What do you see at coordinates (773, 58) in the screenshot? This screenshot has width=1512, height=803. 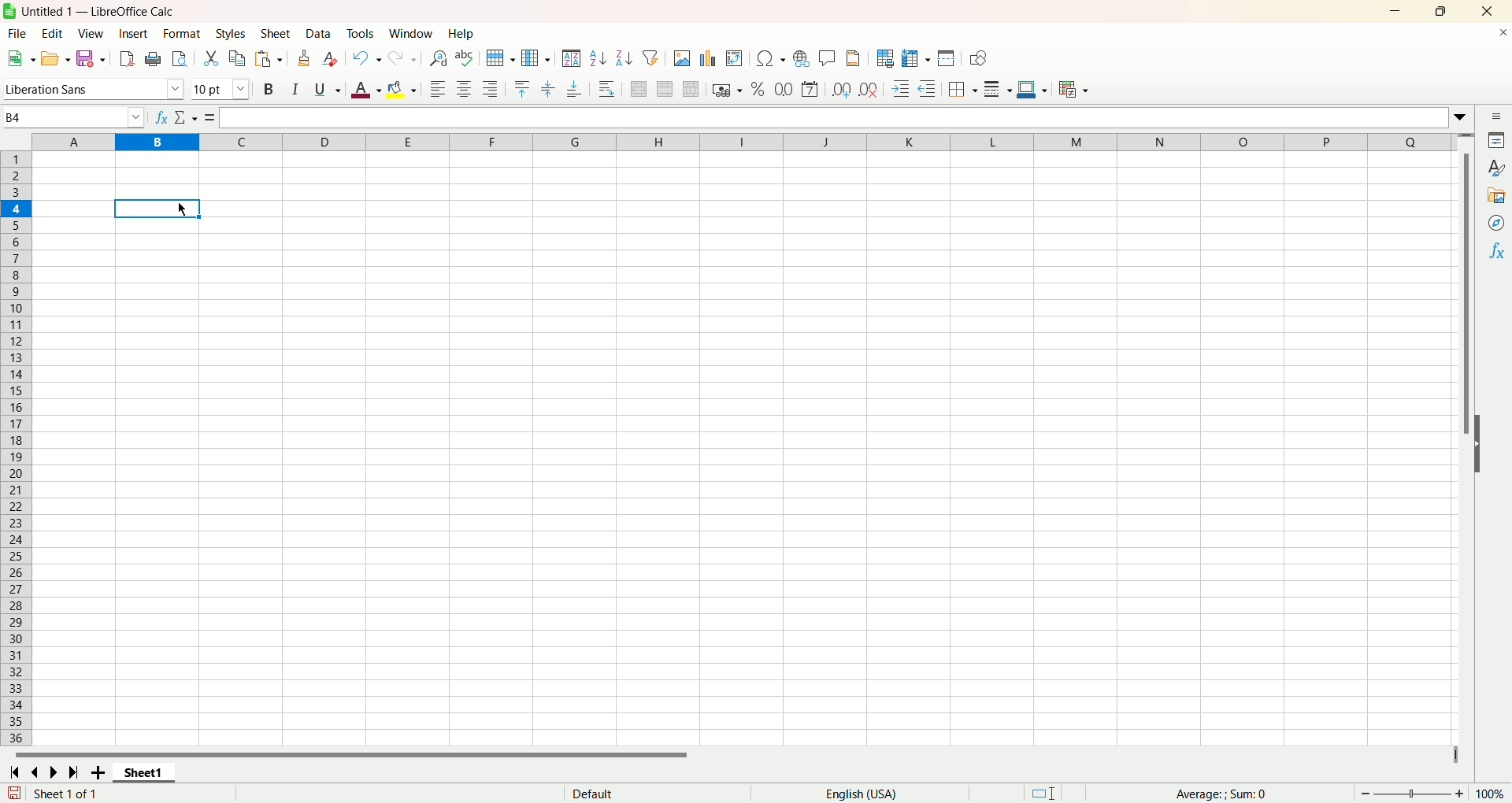 I see `insert special character` at bounding box center [773, 58].